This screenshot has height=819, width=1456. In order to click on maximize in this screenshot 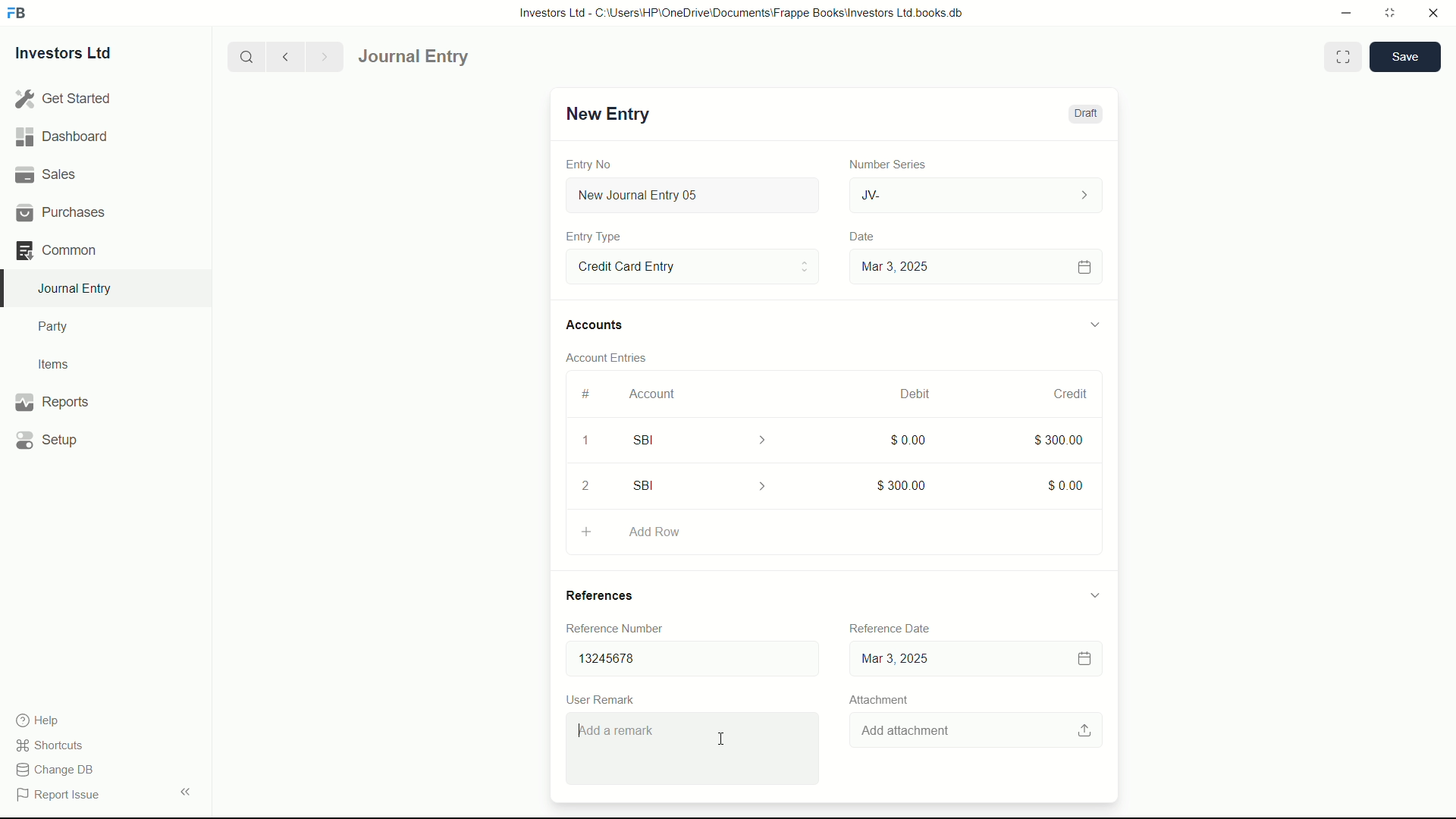, I will do `click(1389, 11)`.